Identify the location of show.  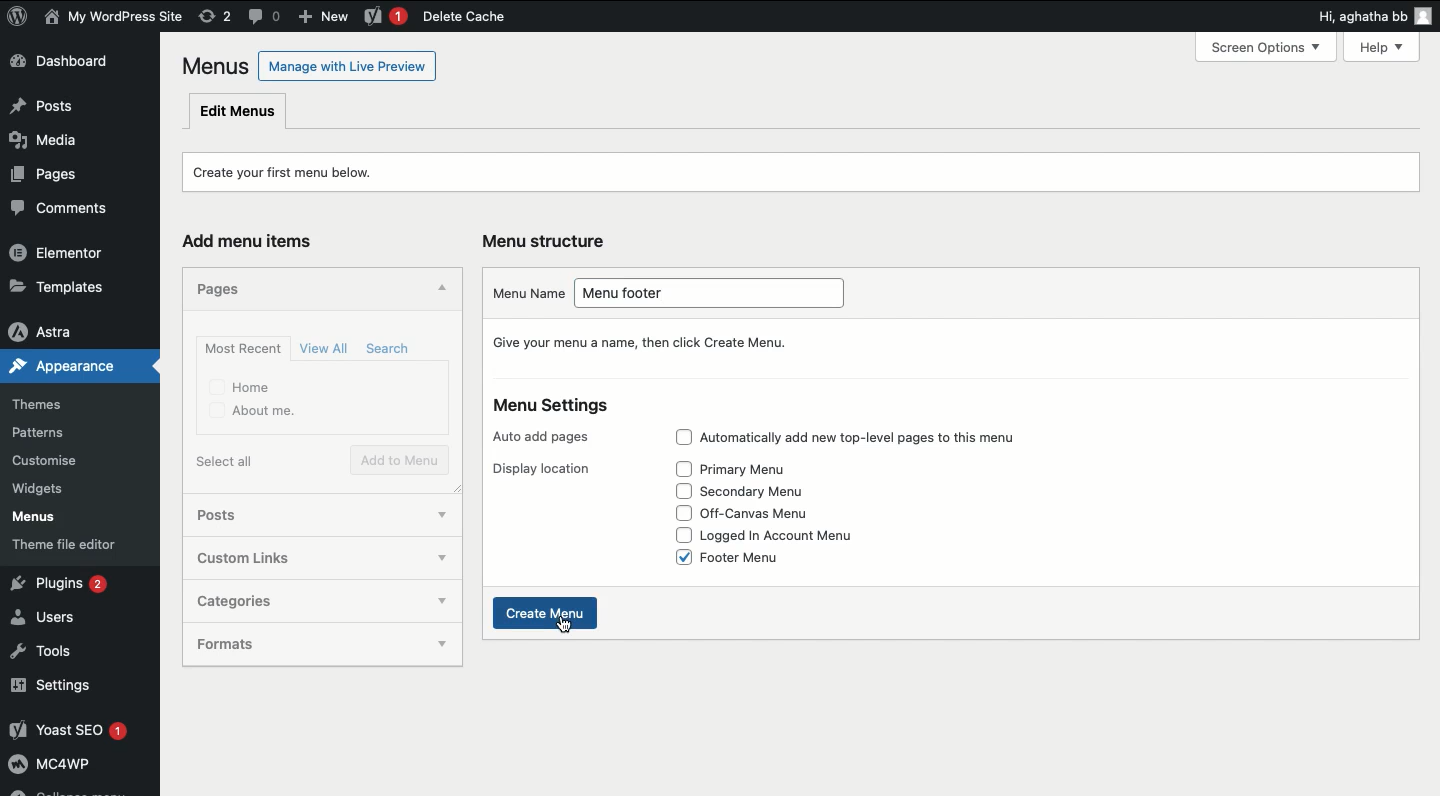
(442, 558).